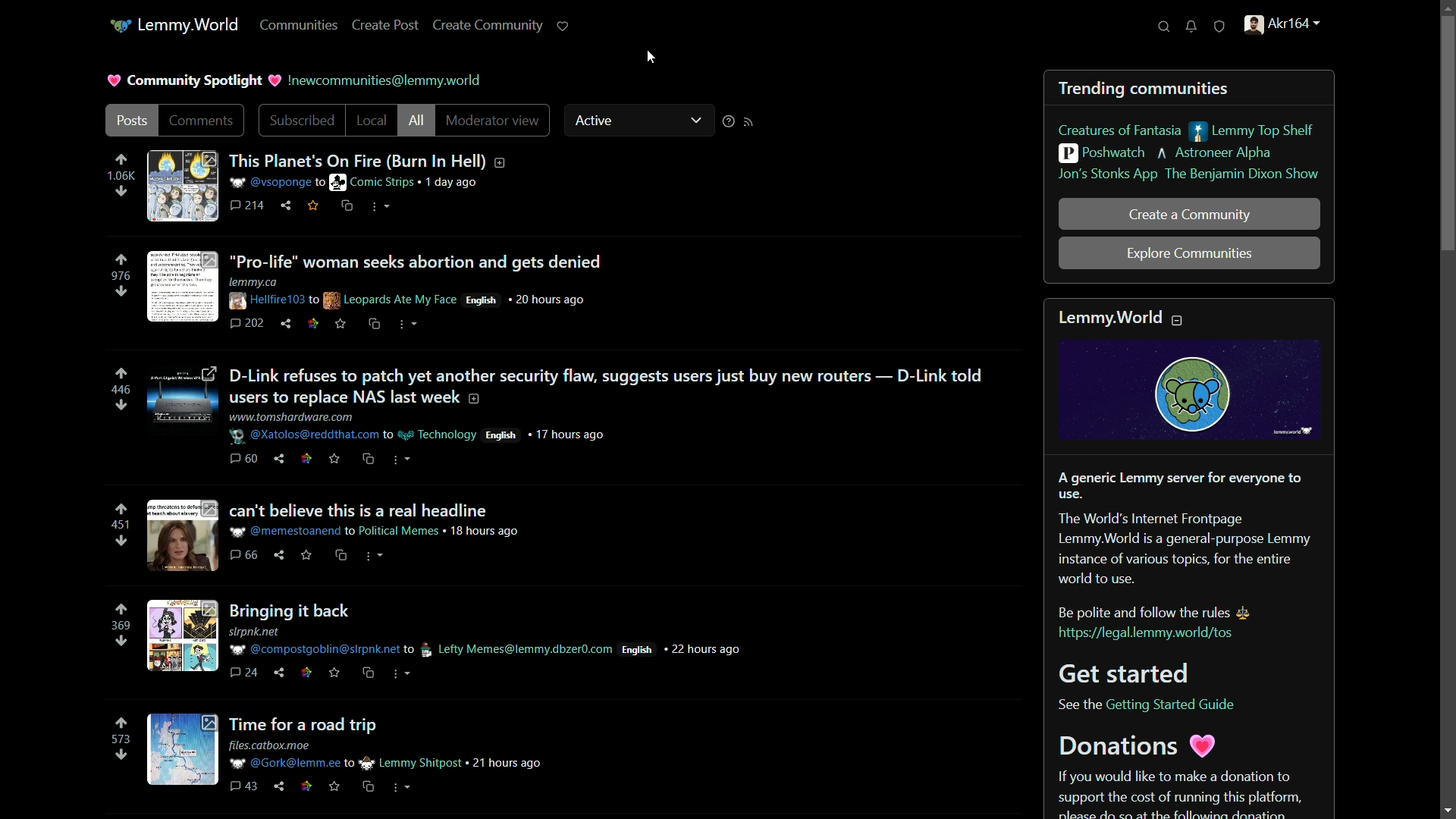 The width and height of the screenshot is (1456, 819). I want to click on post photo, so click(181, 187).